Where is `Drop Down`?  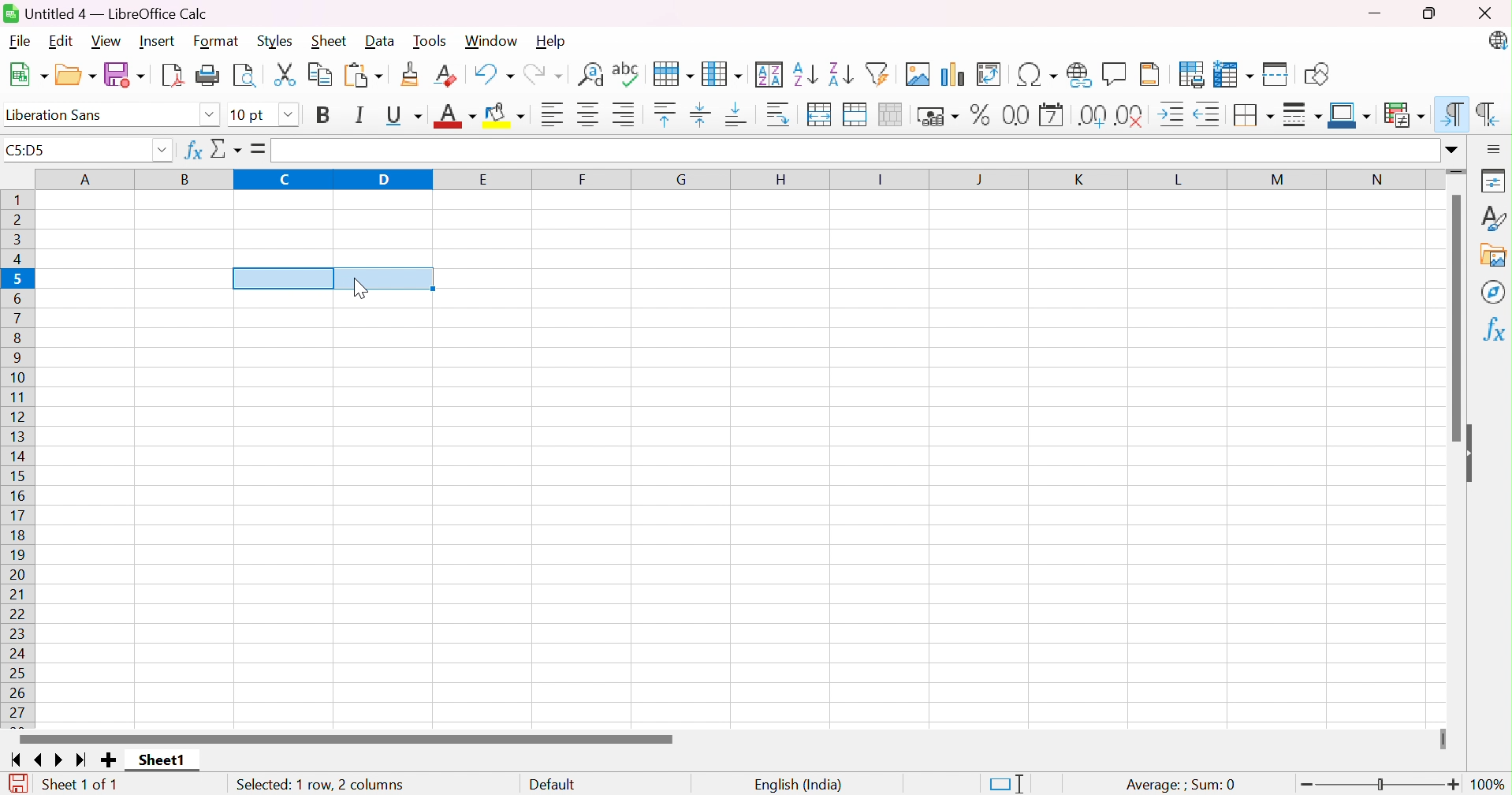 Drop Down is located at coordinates (1451, 151).